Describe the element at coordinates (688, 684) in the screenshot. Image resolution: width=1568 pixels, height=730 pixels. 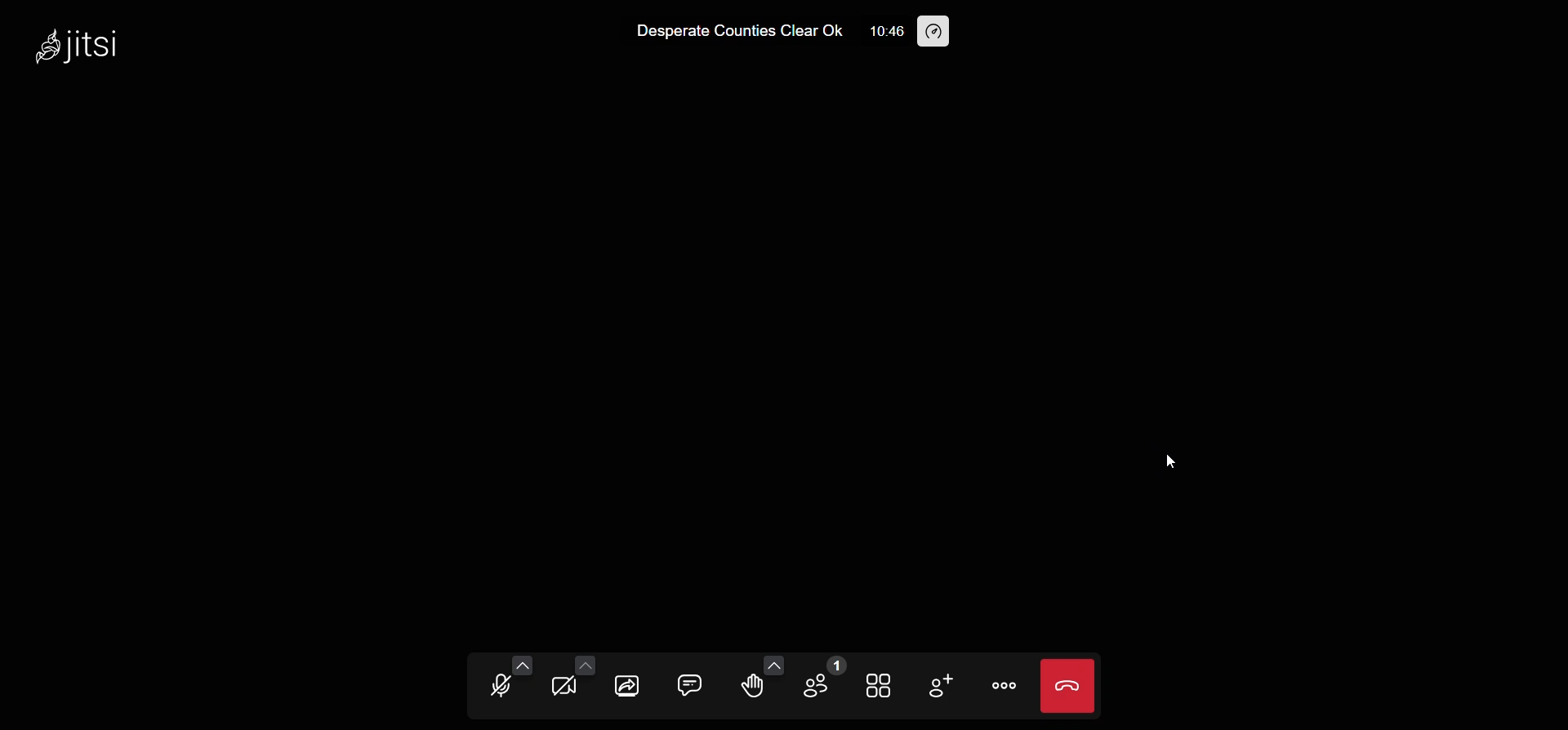
I see `chat` at that location.